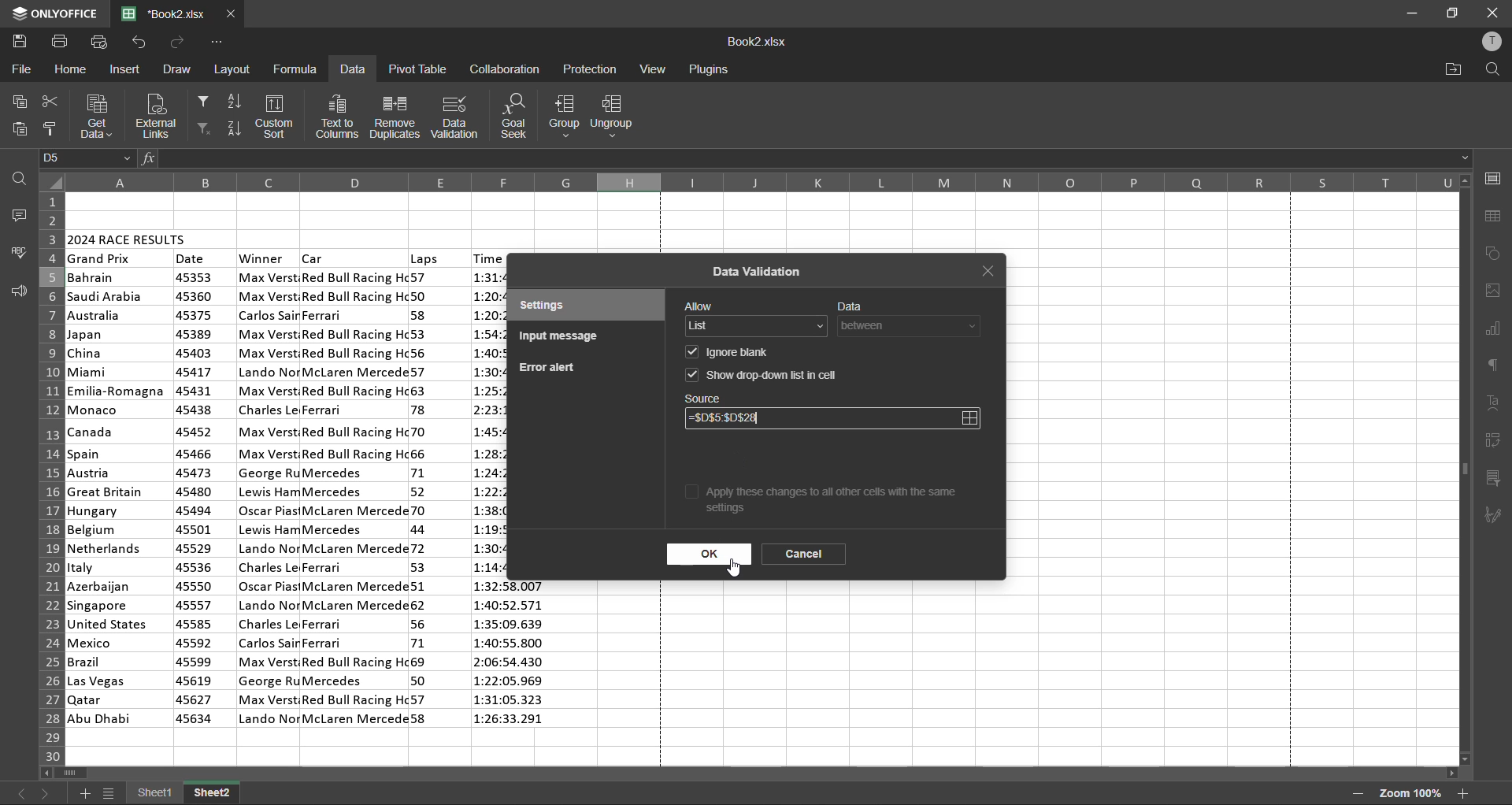  Describe the element at coordinates (150, 161) in the screenshot. I see `fx` at that location.